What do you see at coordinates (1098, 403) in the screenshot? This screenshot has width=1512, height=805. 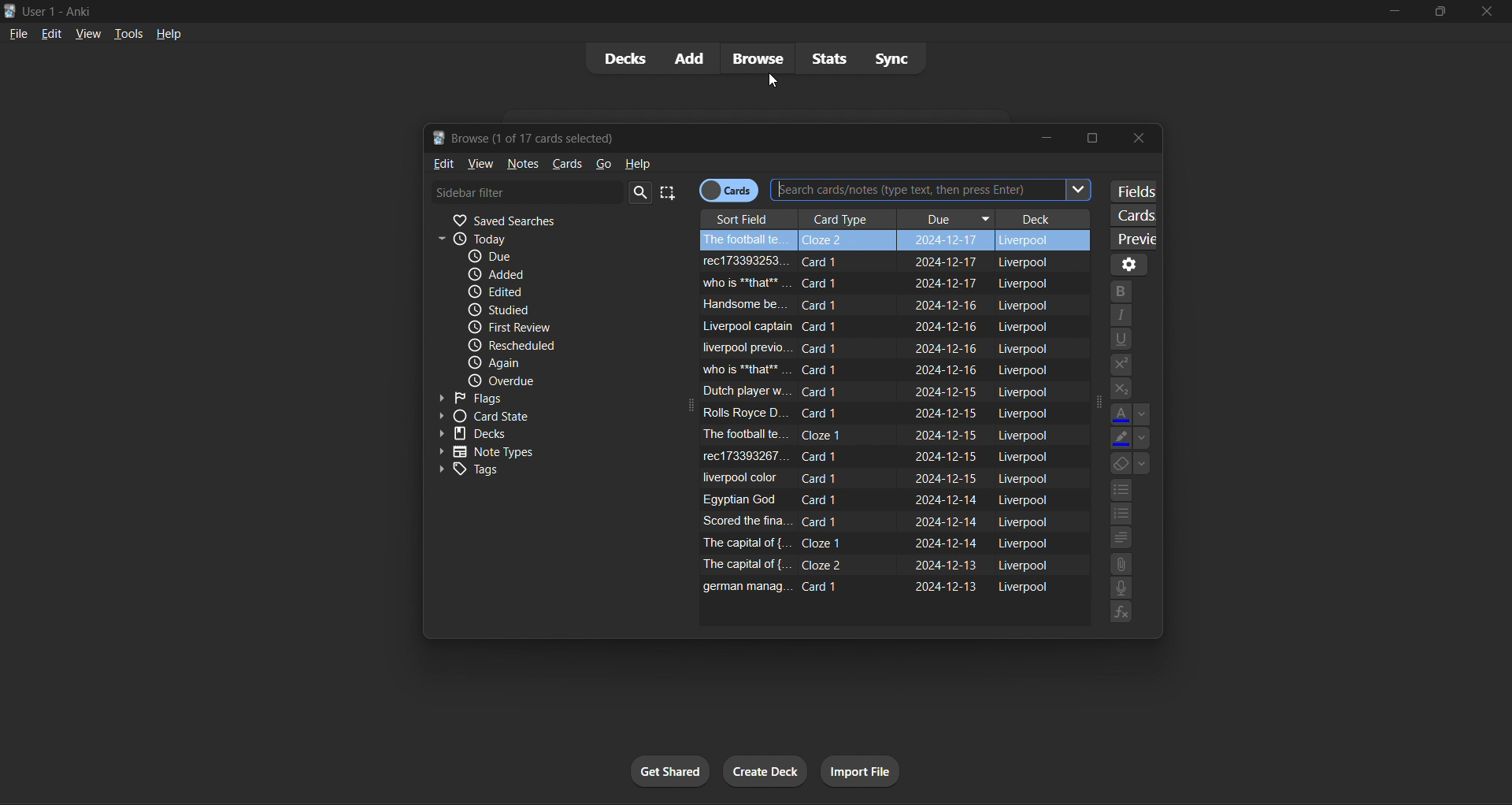 I see `collapse` at bounding box center [1098, 403].